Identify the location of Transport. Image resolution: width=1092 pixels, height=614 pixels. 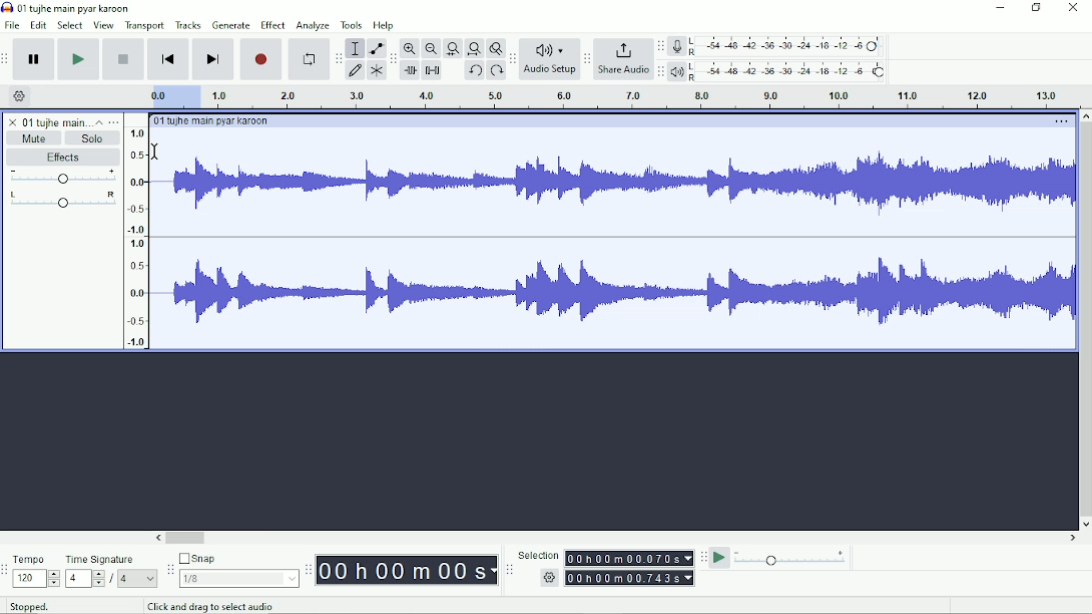
(145, 26).